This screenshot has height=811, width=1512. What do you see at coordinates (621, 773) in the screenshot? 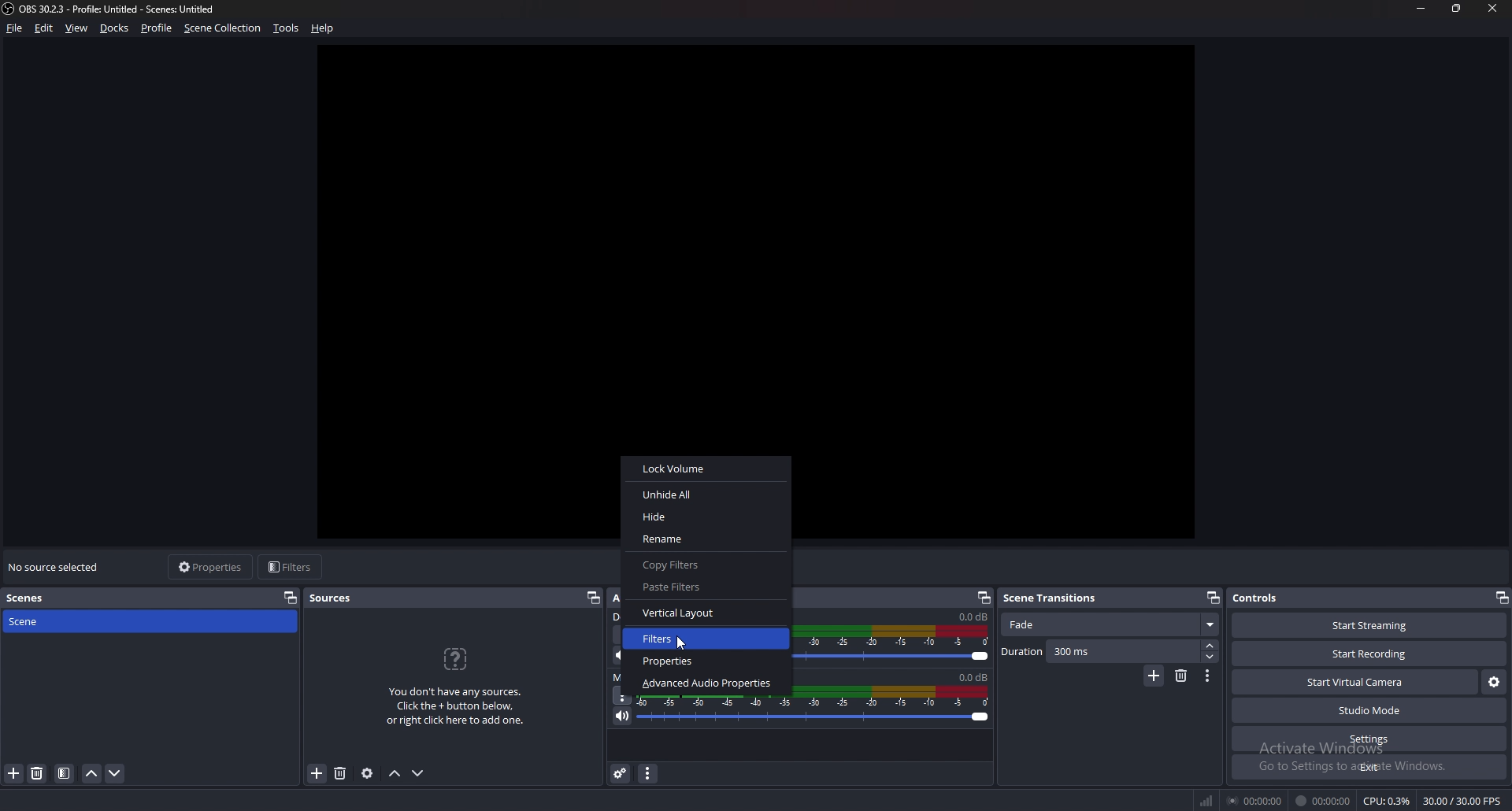
I see `advanced audio properties` at bounding box center [621, 773].